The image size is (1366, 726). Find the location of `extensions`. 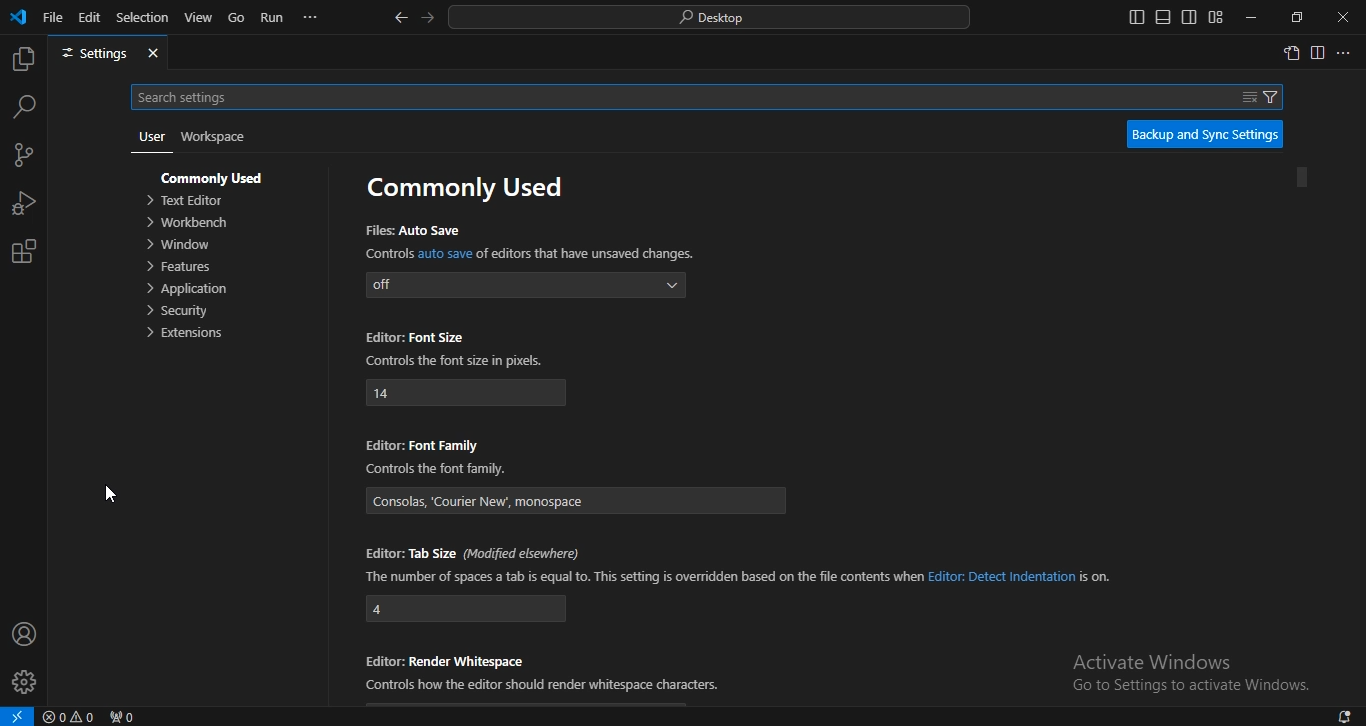

extensions is located at coordinates (183, 333).